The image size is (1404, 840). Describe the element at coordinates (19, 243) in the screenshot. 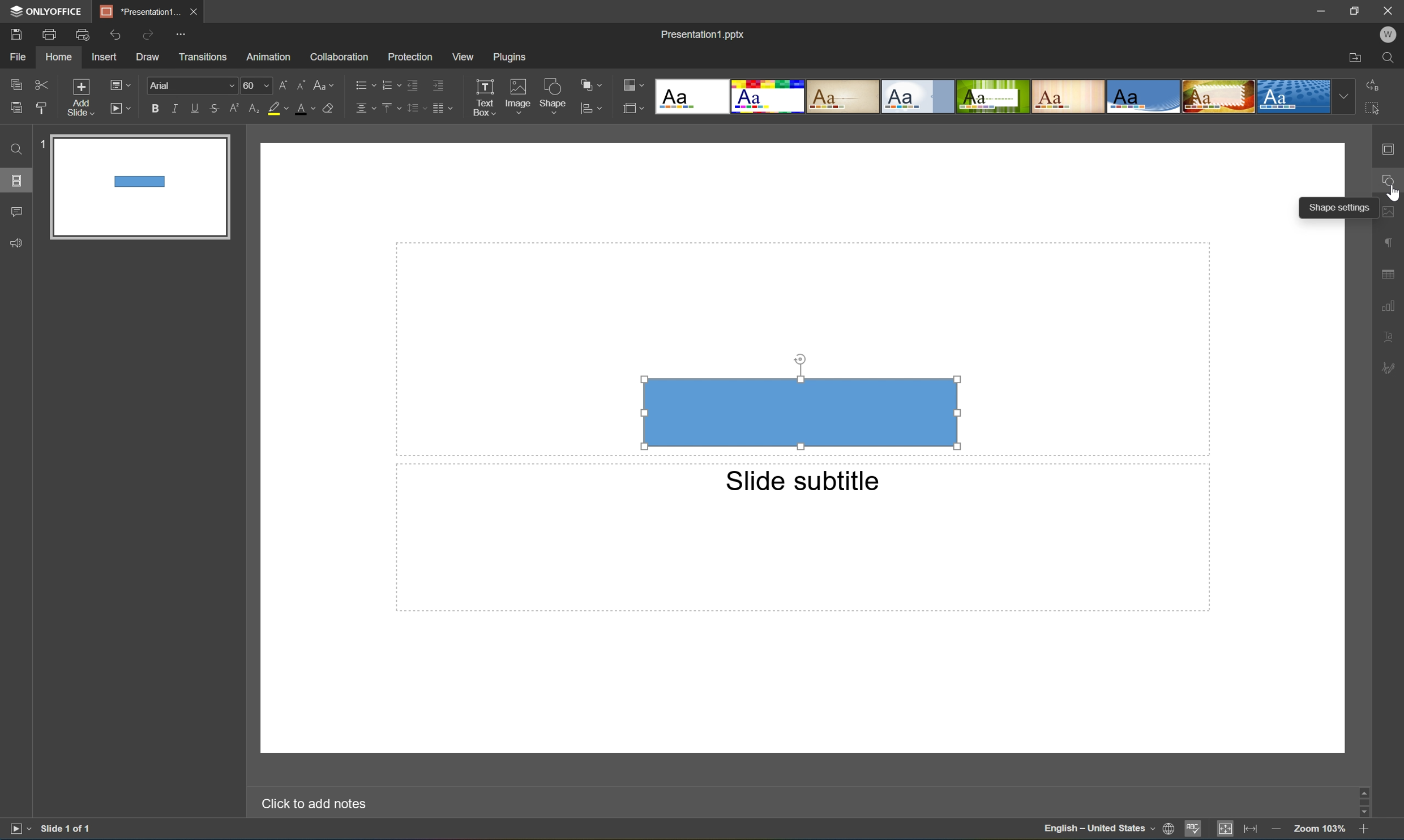

I see `Feedback & support` at that location.